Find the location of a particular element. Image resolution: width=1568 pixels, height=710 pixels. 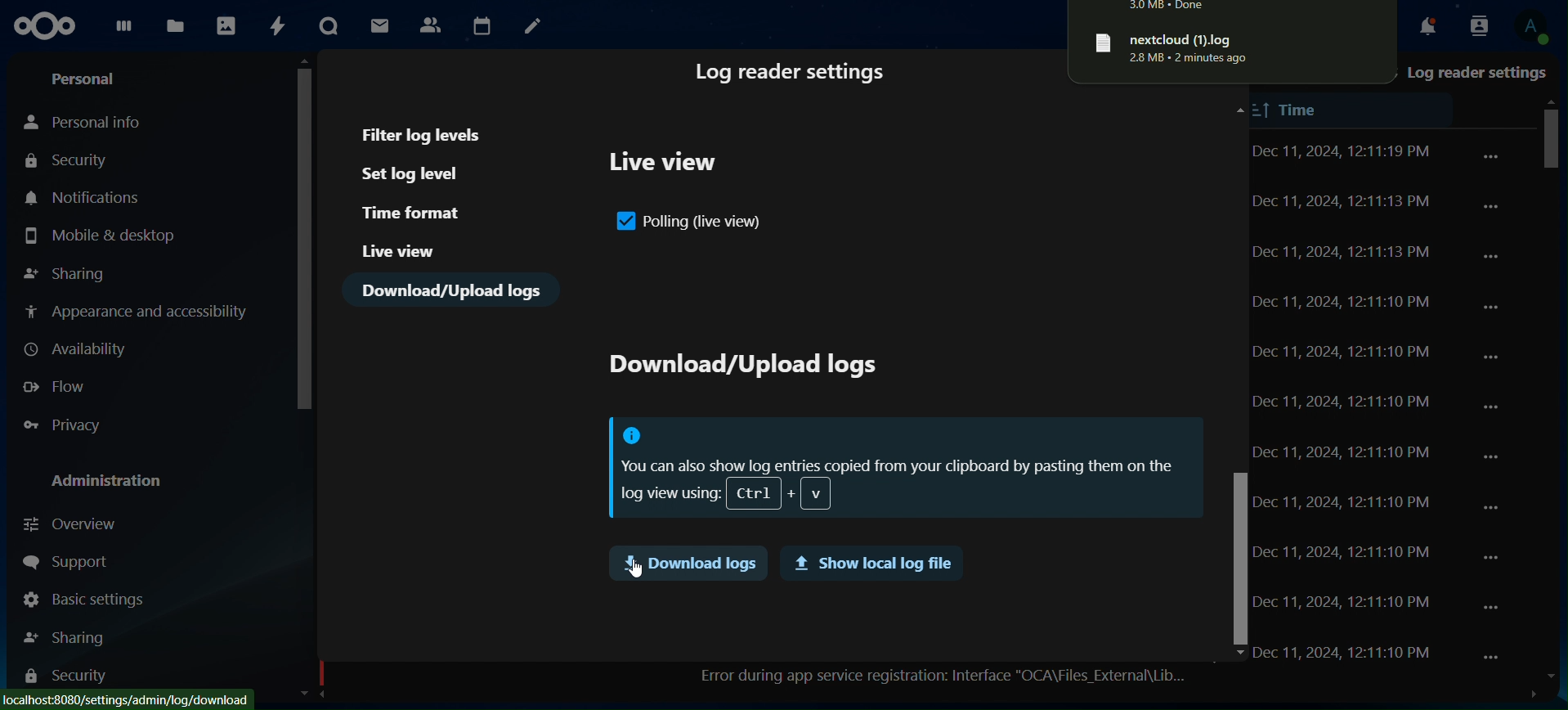

downloaded nextcloud.log is located at coordinates (1231, 46).